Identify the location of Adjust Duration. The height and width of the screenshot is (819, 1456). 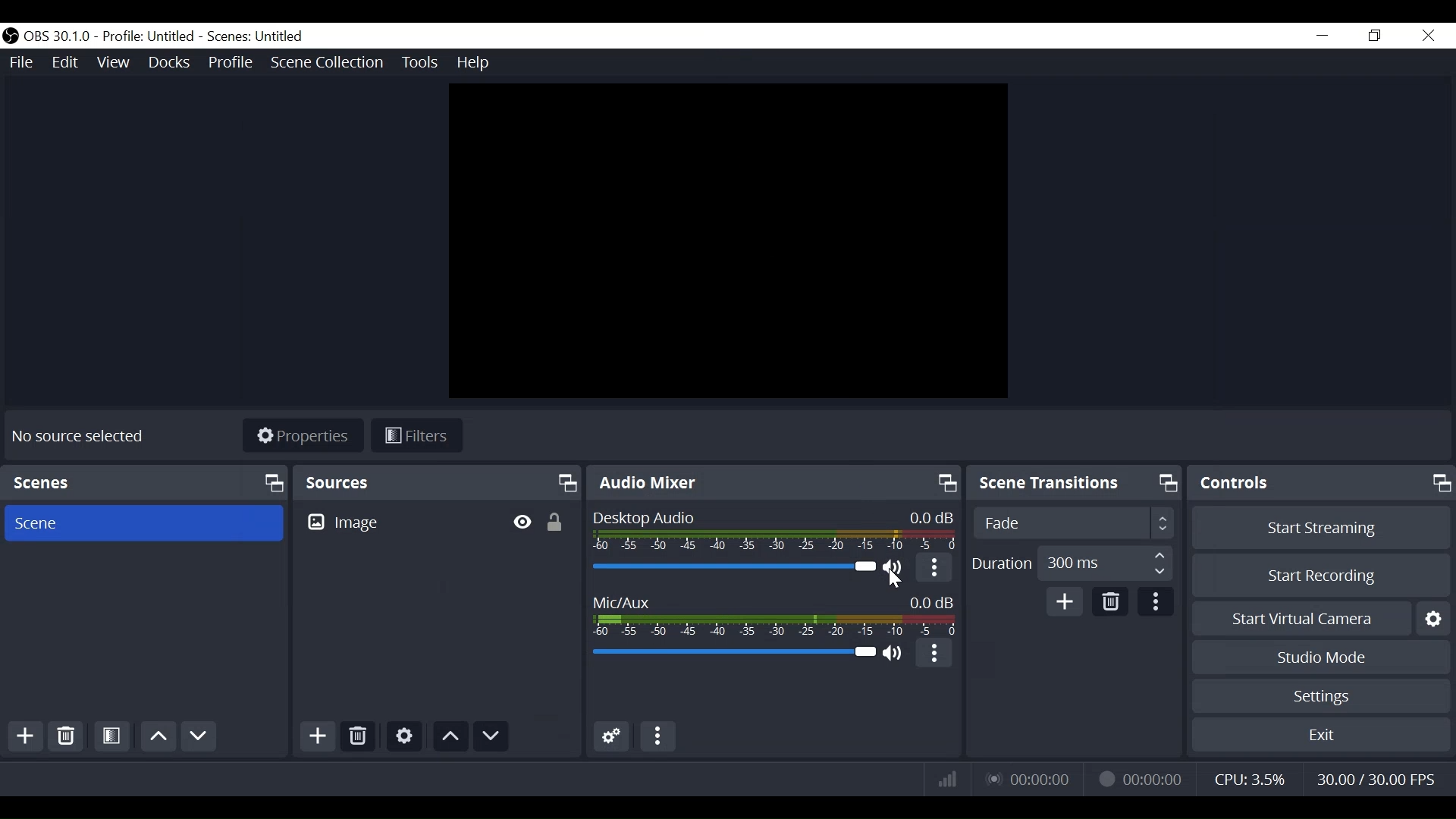
(1071, 563).